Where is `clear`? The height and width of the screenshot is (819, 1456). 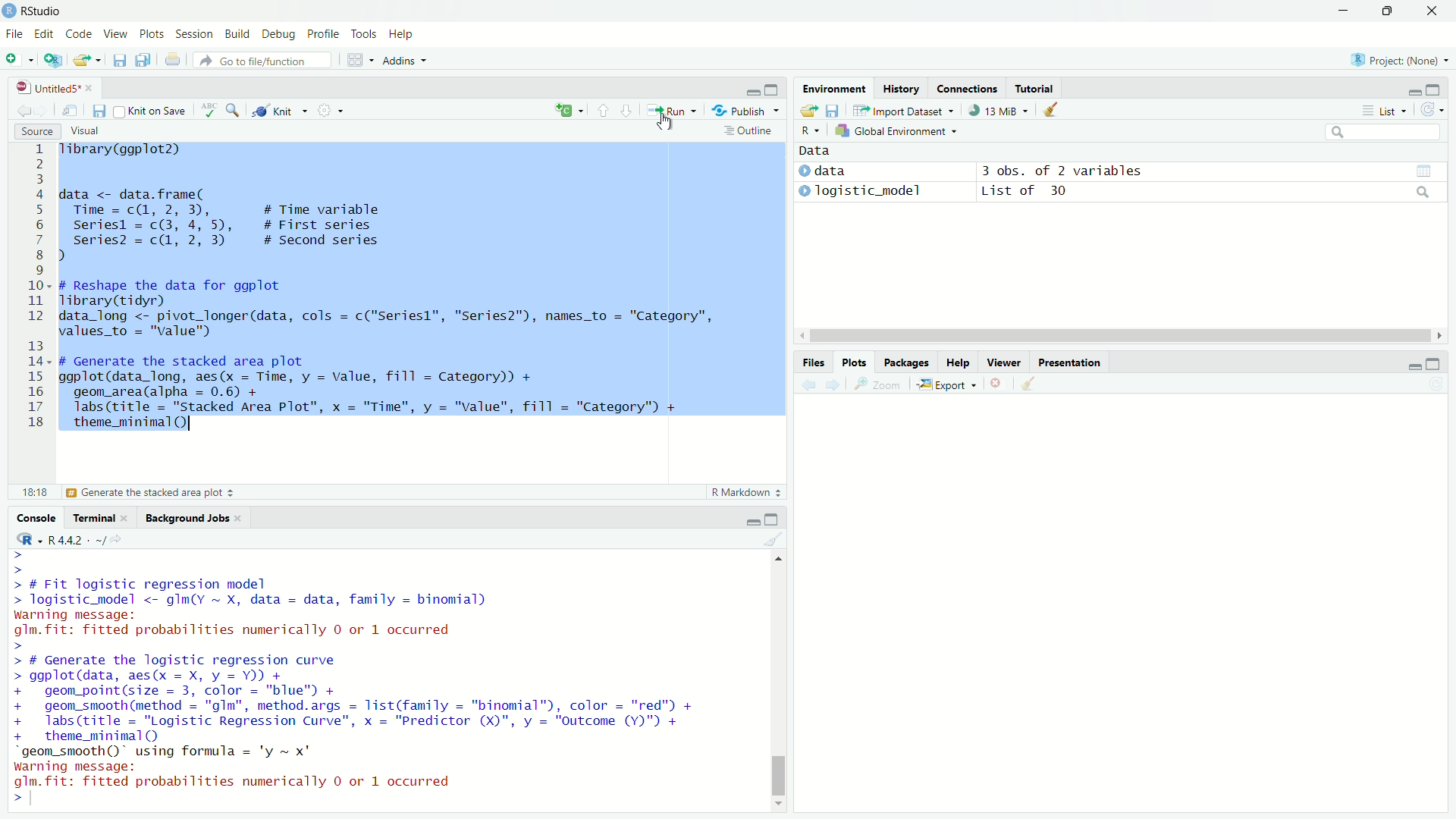
clear is located at coordinates (774, 541).